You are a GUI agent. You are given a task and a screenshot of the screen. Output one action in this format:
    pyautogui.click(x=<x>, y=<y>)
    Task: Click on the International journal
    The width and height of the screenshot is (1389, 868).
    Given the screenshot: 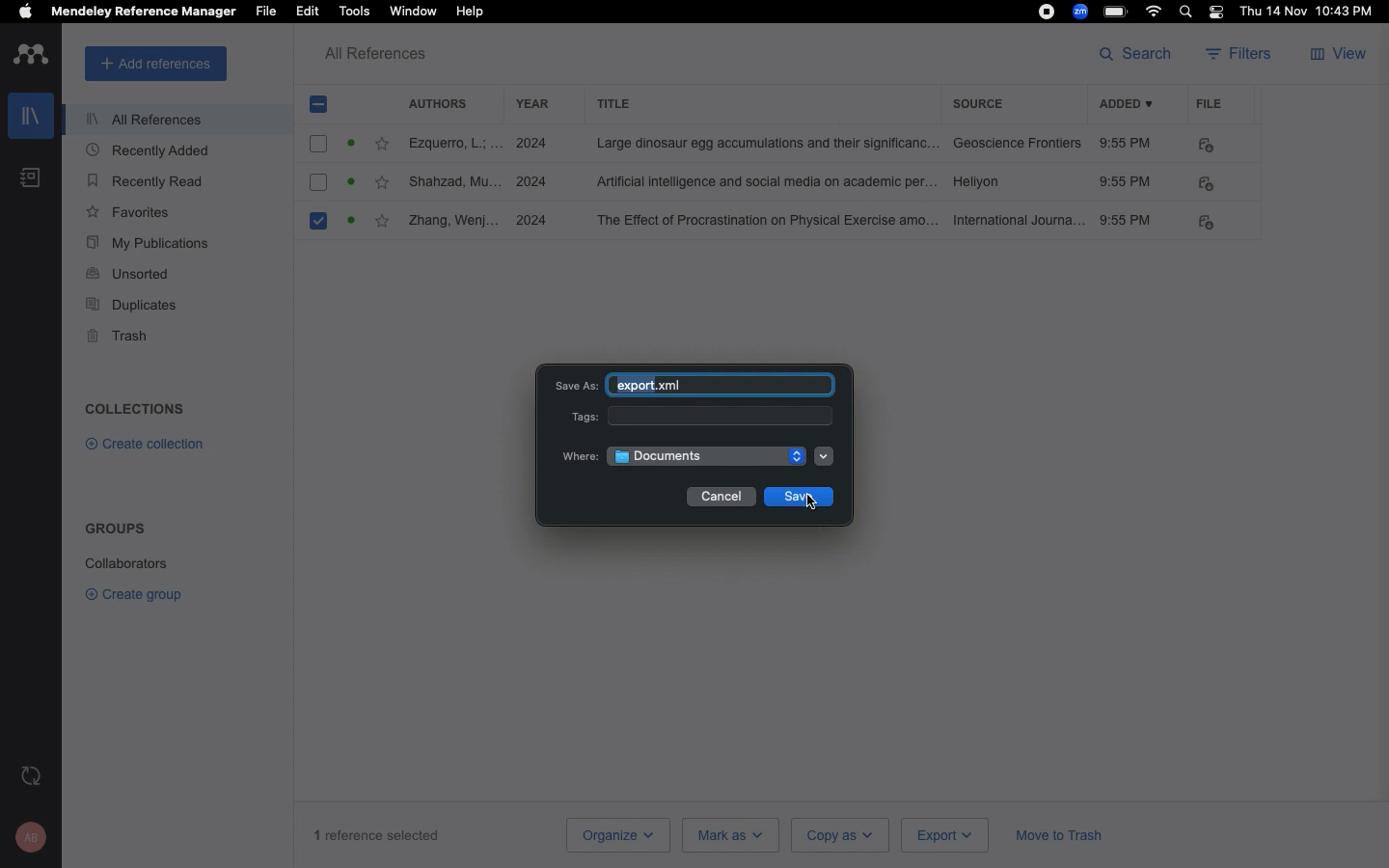 What is the action you would take?
    pyautogui.click(x=1019, y=220)
    